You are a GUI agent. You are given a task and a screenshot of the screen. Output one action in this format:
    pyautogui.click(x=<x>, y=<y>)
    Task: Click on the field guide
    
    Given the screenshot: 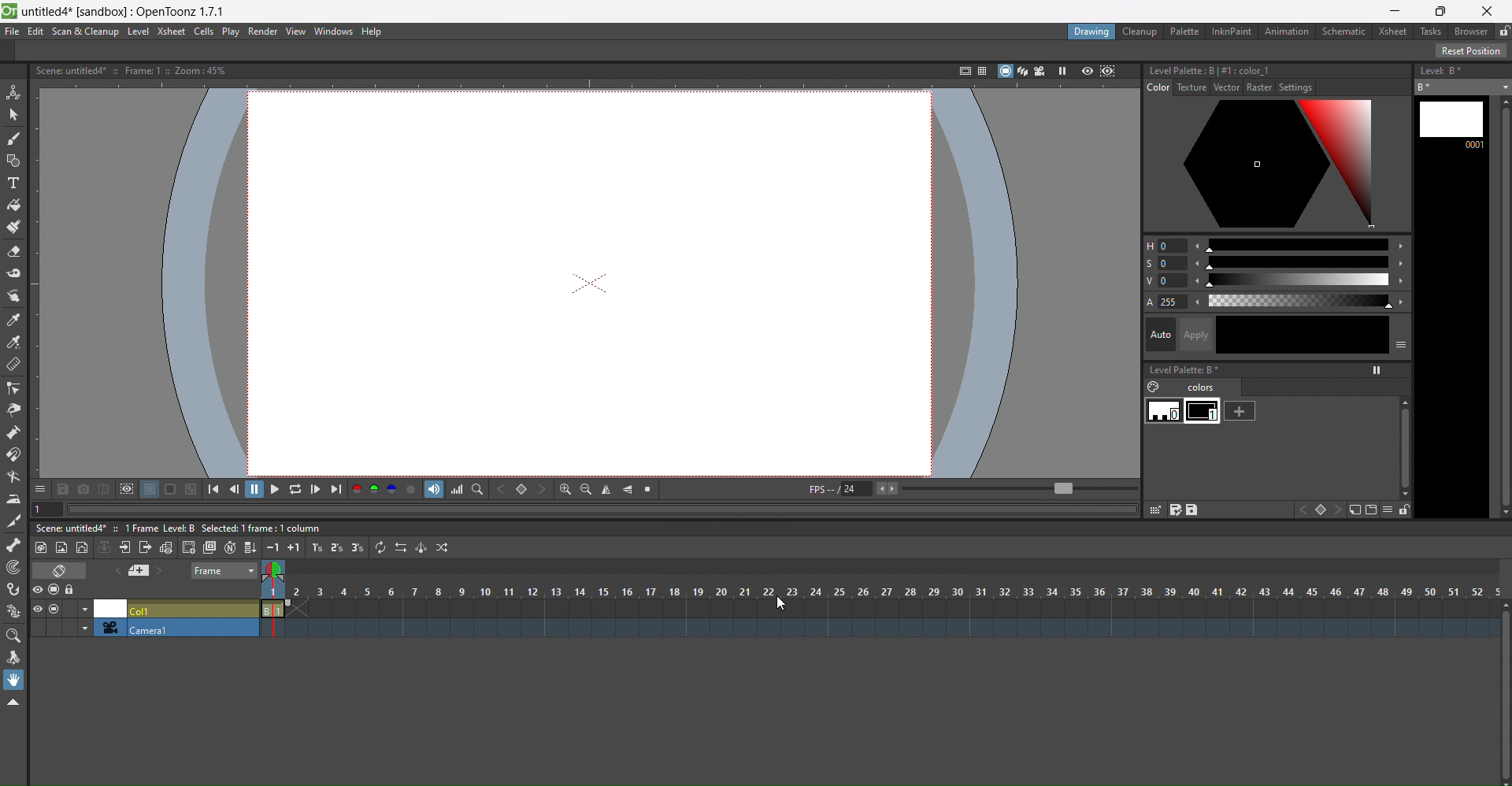 What is the action you would take?
    pyautogui.click(x=980, y=70)
    